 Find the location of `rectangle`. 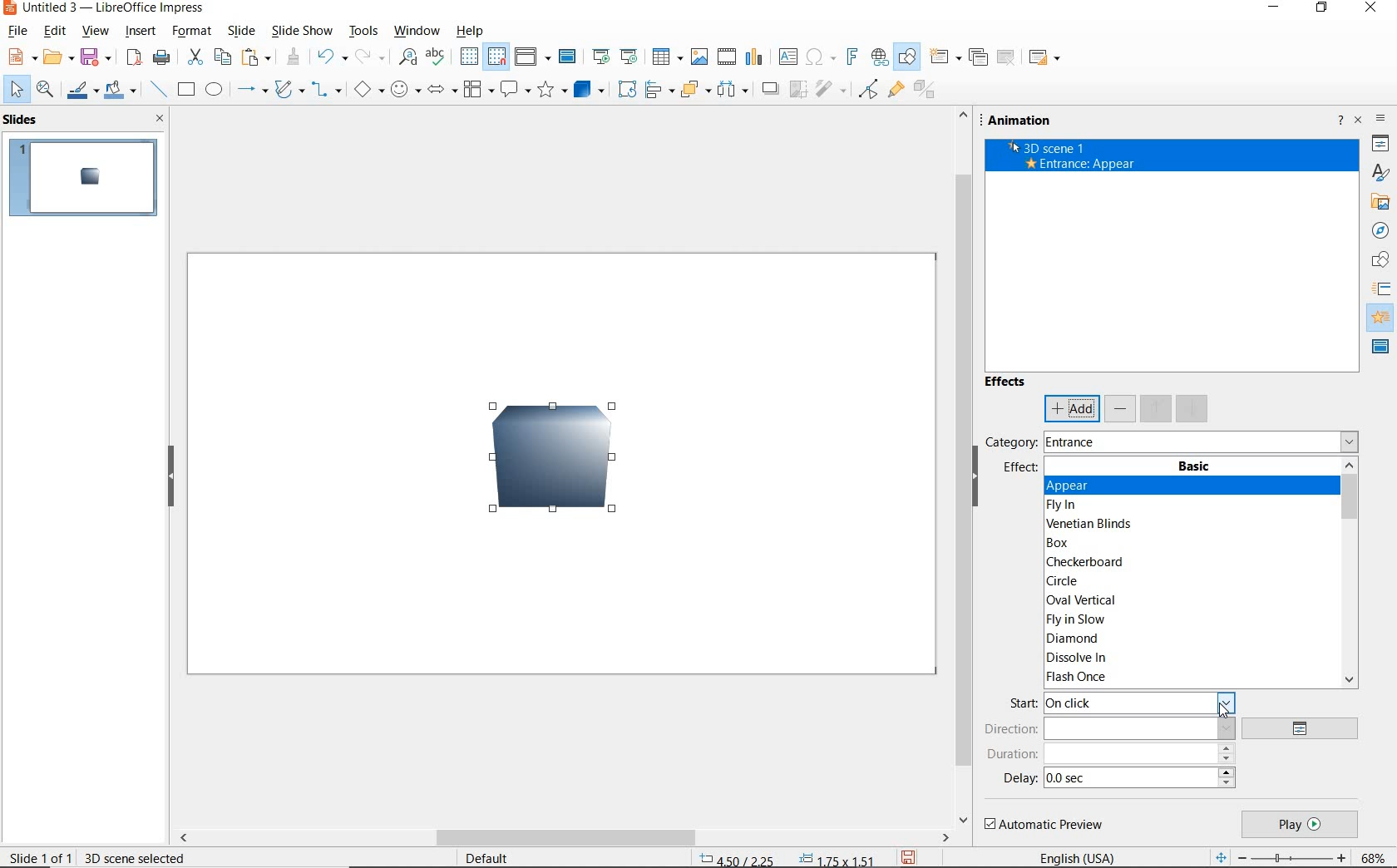

rectangle is located at coordinates (187, 91).